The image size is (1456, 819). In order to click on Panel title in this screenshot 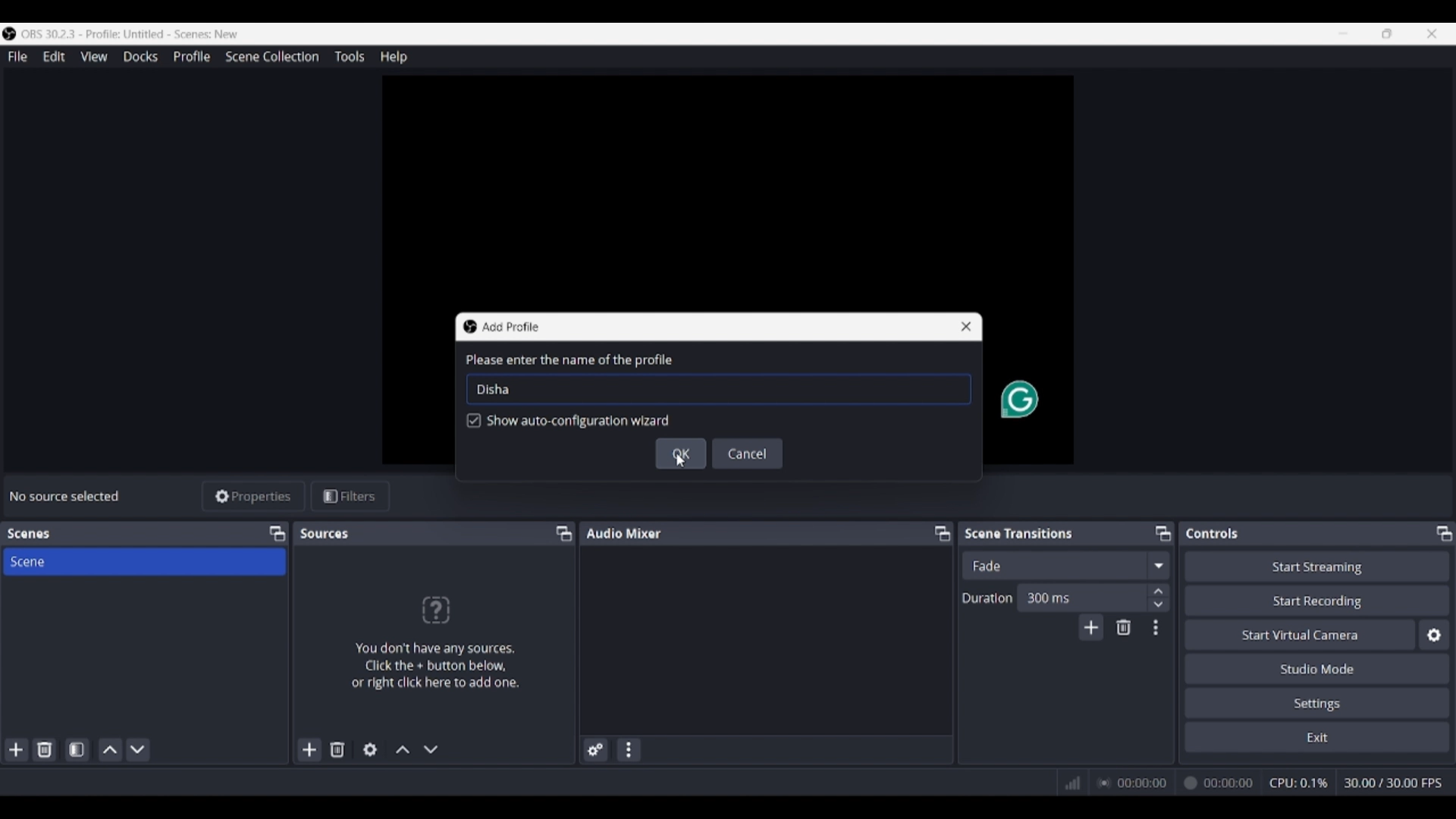, I will do `click(326, 533)`.